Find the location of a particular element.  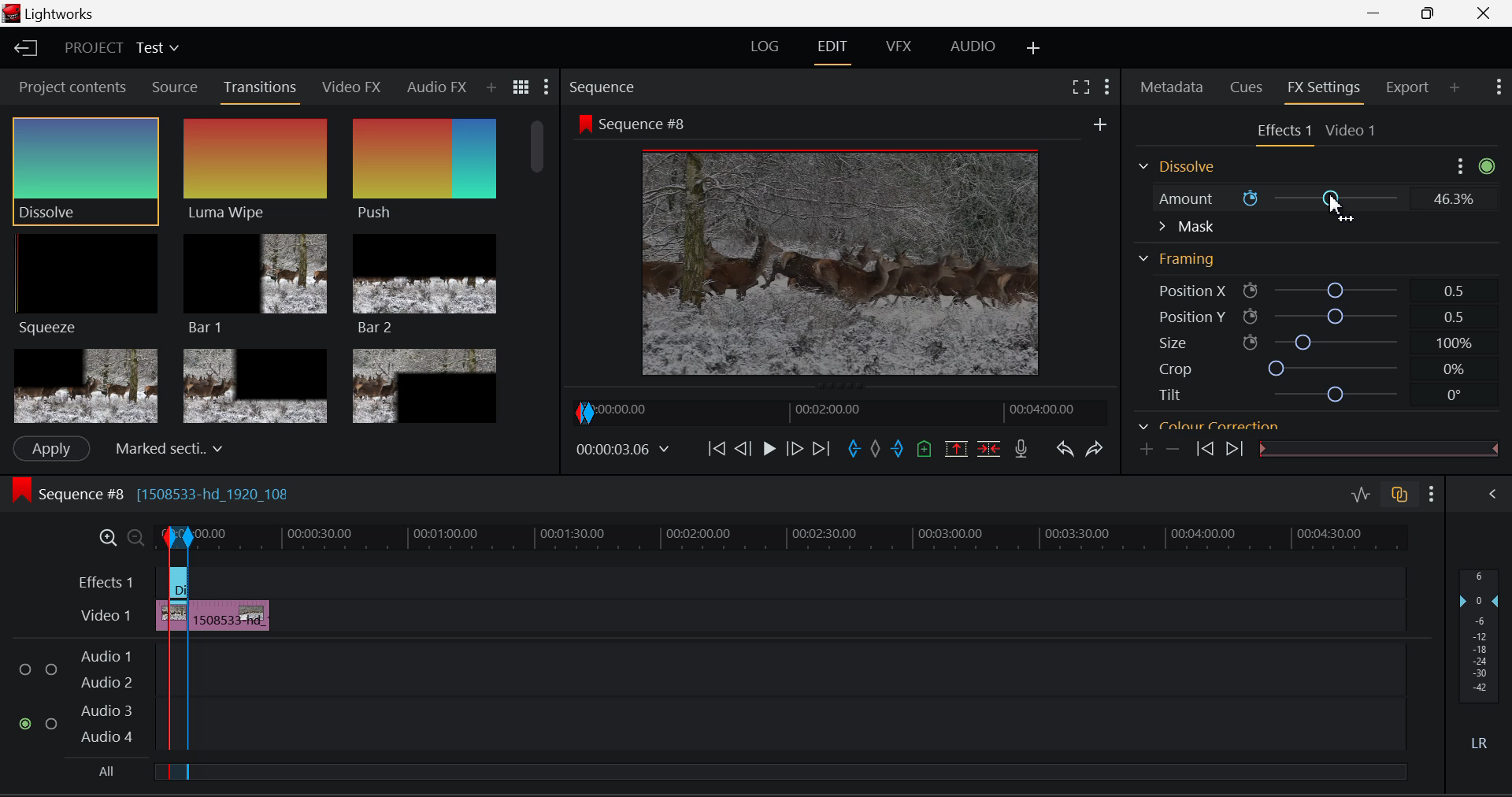

Go Back is located at coordinates (743, 450).